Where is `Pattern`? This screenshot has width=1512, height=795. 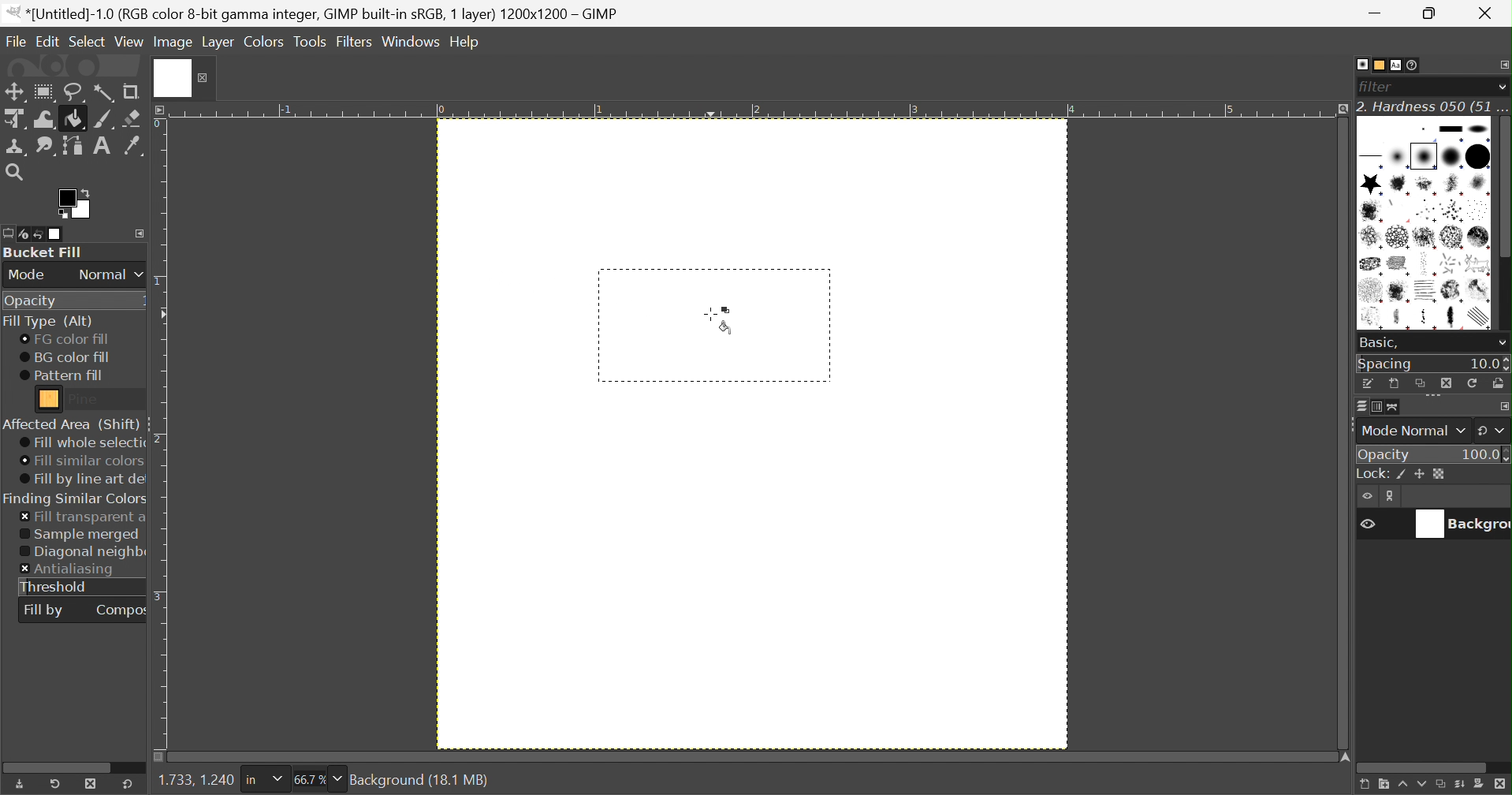
Pattern is located at coordinates (50, 399).